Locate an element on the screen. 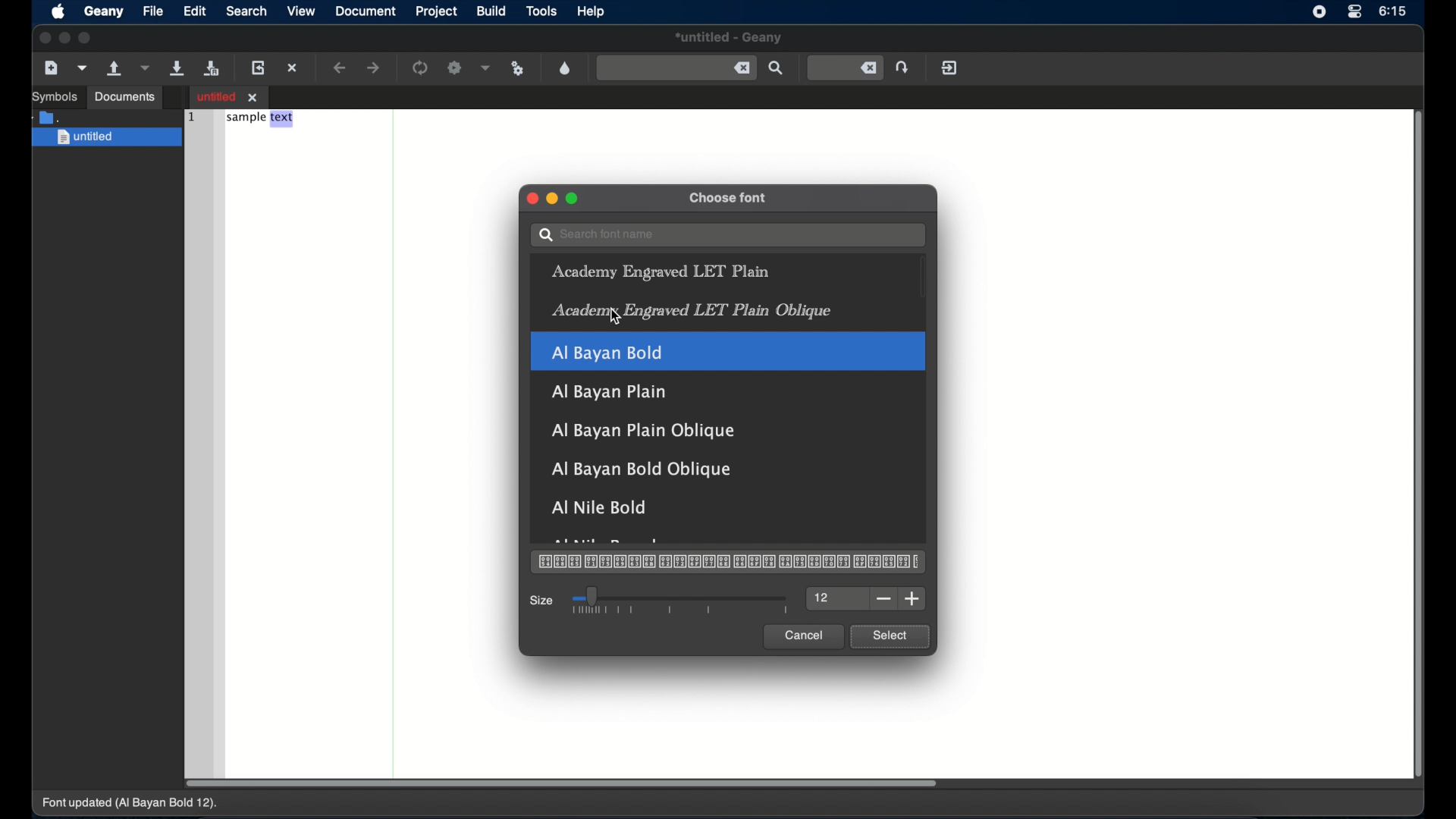 This screenshot has width=1456, height=819. geany is located at coordinates (104, 12).